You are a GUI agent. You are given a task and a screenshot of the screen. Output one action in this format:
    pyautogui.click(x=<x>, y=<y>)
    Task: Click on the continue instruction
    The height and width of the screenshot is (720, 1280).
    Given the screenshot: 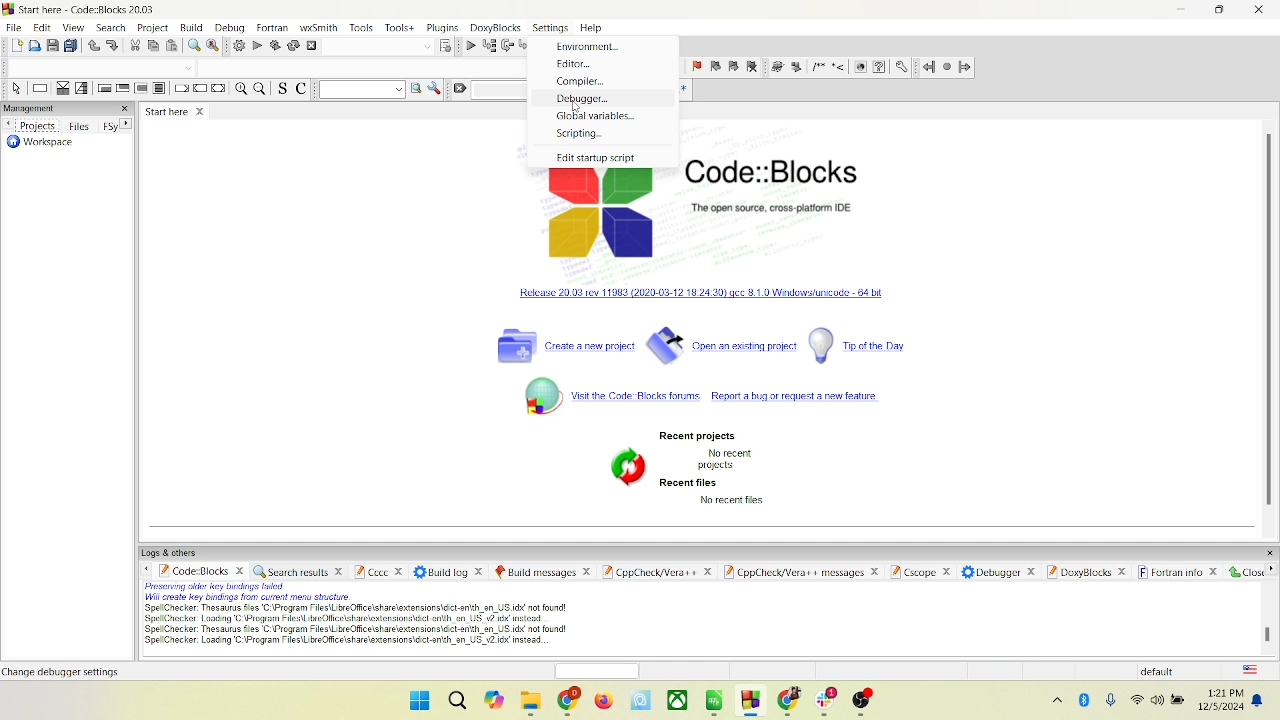 What is the action you would take?
    pyautogui.click(x=201, y=88)
    